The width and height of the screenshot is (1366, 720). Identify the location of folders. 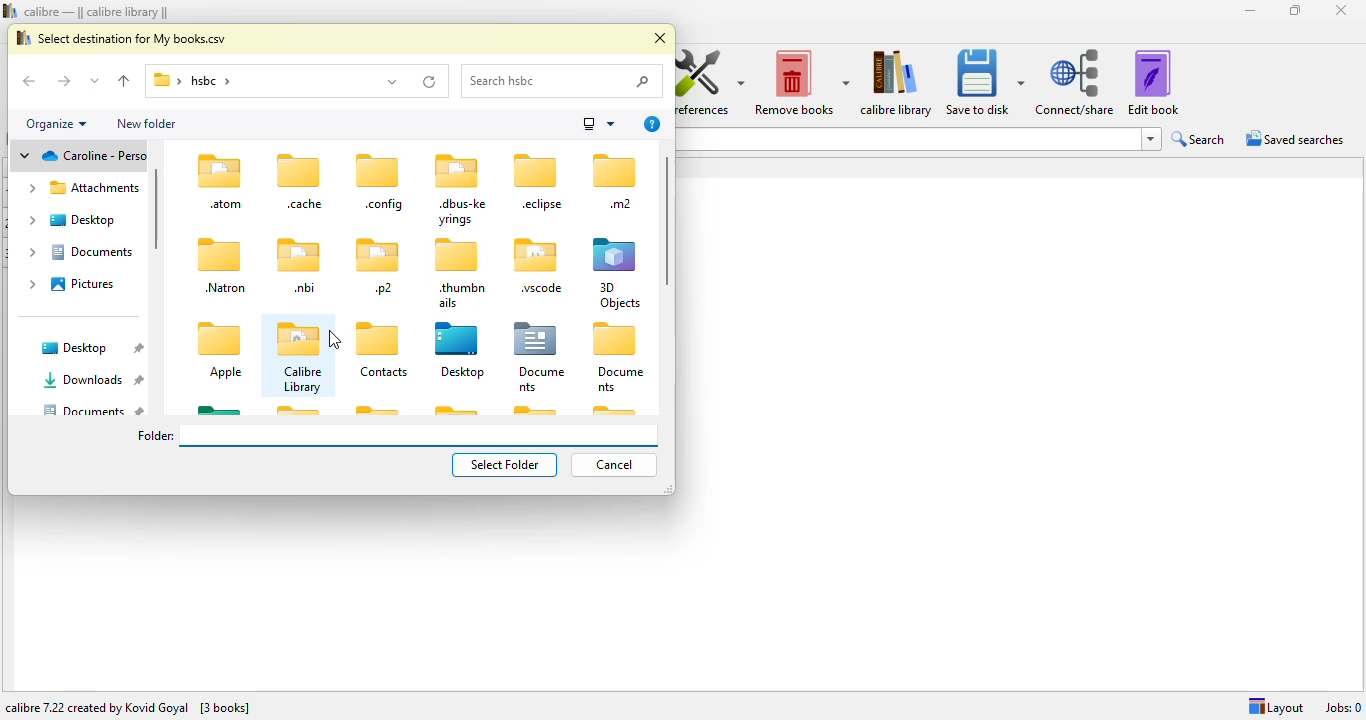
(456, 231).